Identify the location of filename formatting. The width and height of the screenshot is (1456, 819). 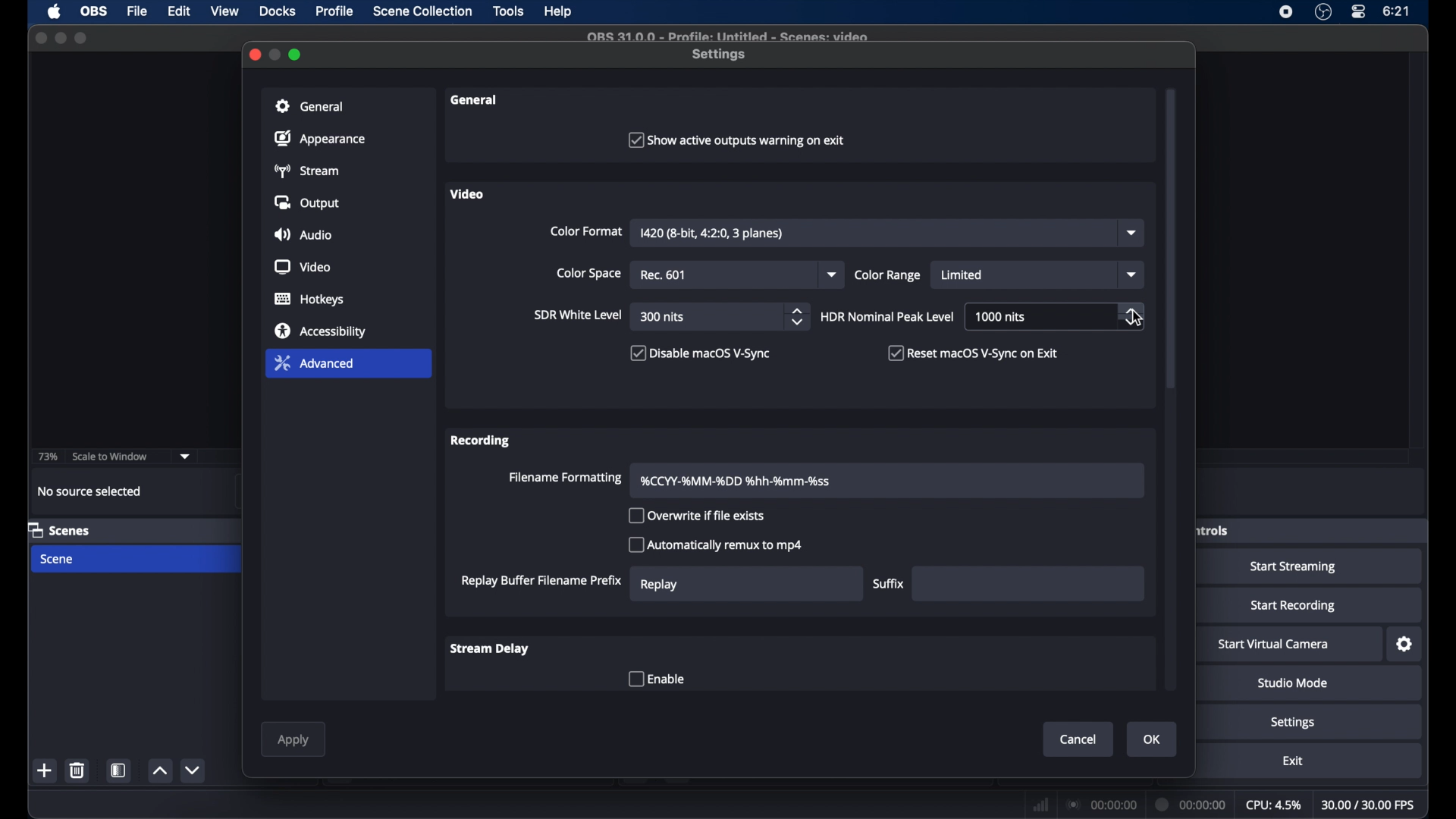
(736, 481).